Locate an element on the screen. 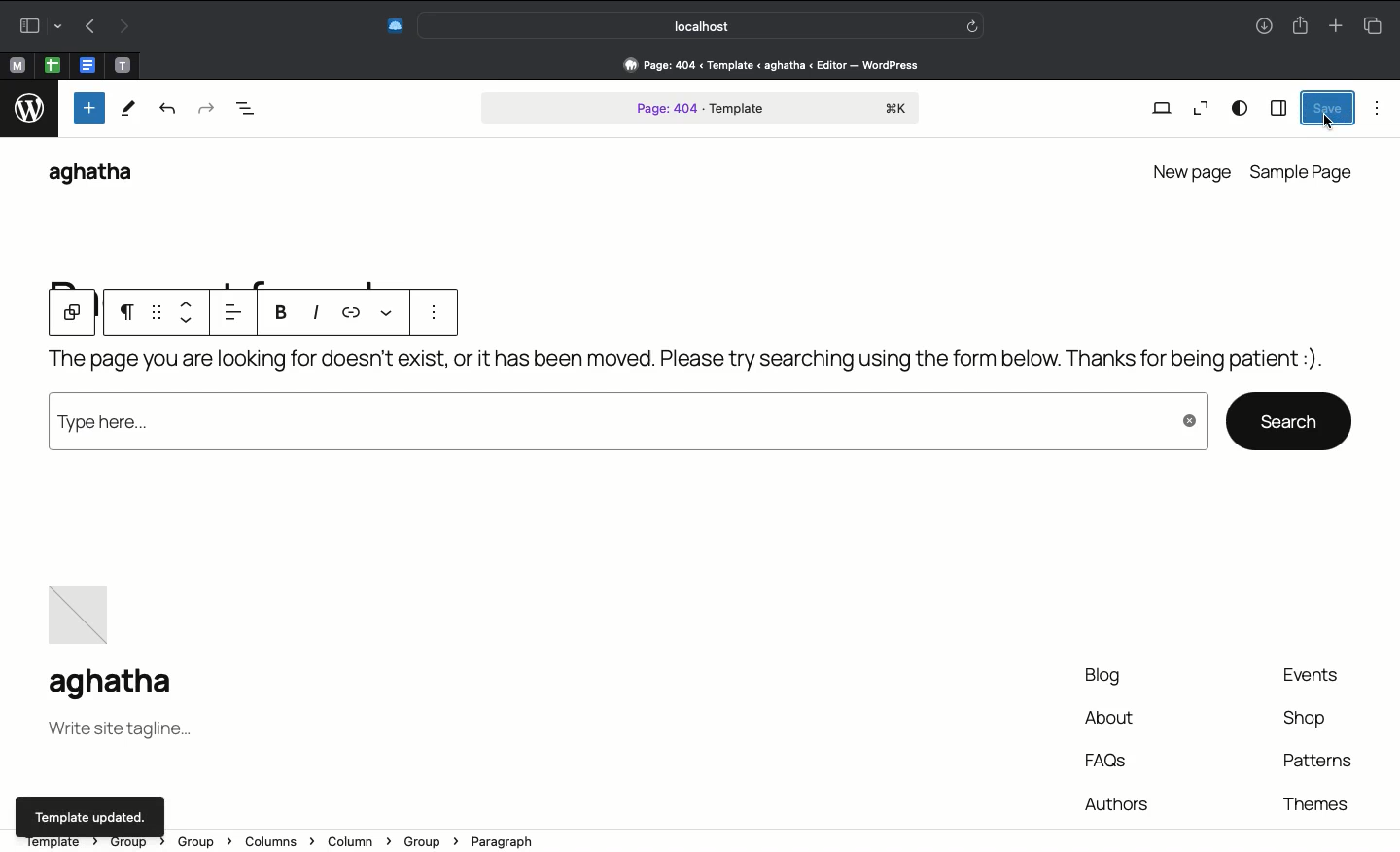 The width and height of the screenshot is (1400, 852). Page not found is located at coordinates (550, 366).